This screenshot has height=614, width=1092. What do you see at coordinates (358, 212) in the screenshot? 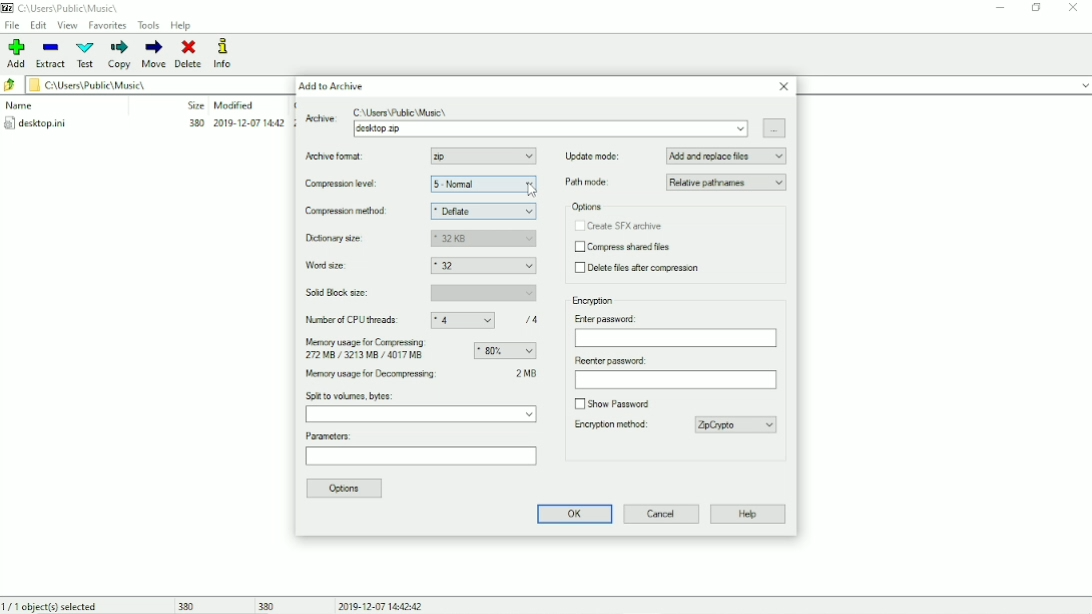
I see `Compression method` at bounding box center [358, 212].